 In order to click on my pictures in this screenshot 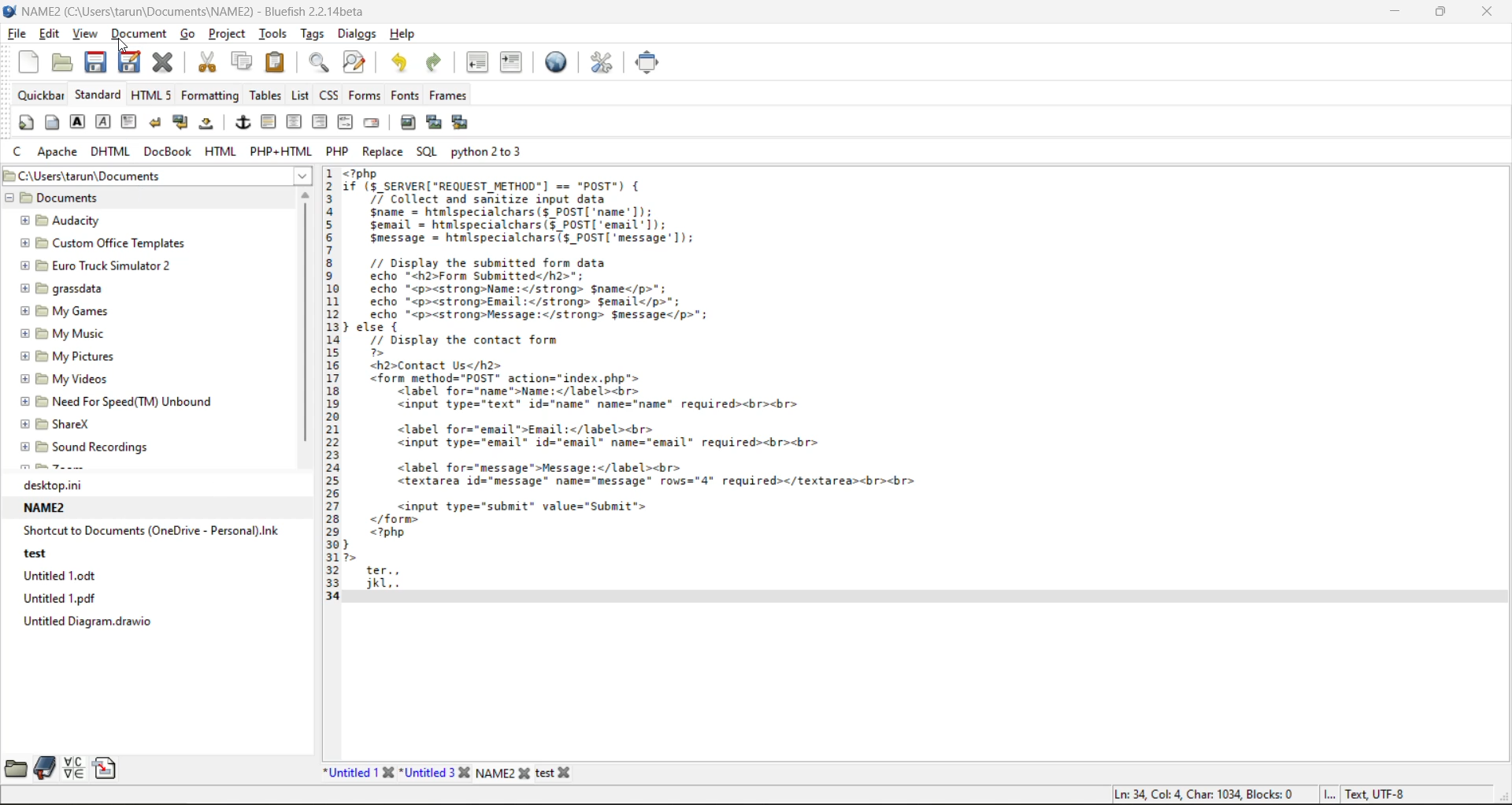, I will do `click(83, 356)`.